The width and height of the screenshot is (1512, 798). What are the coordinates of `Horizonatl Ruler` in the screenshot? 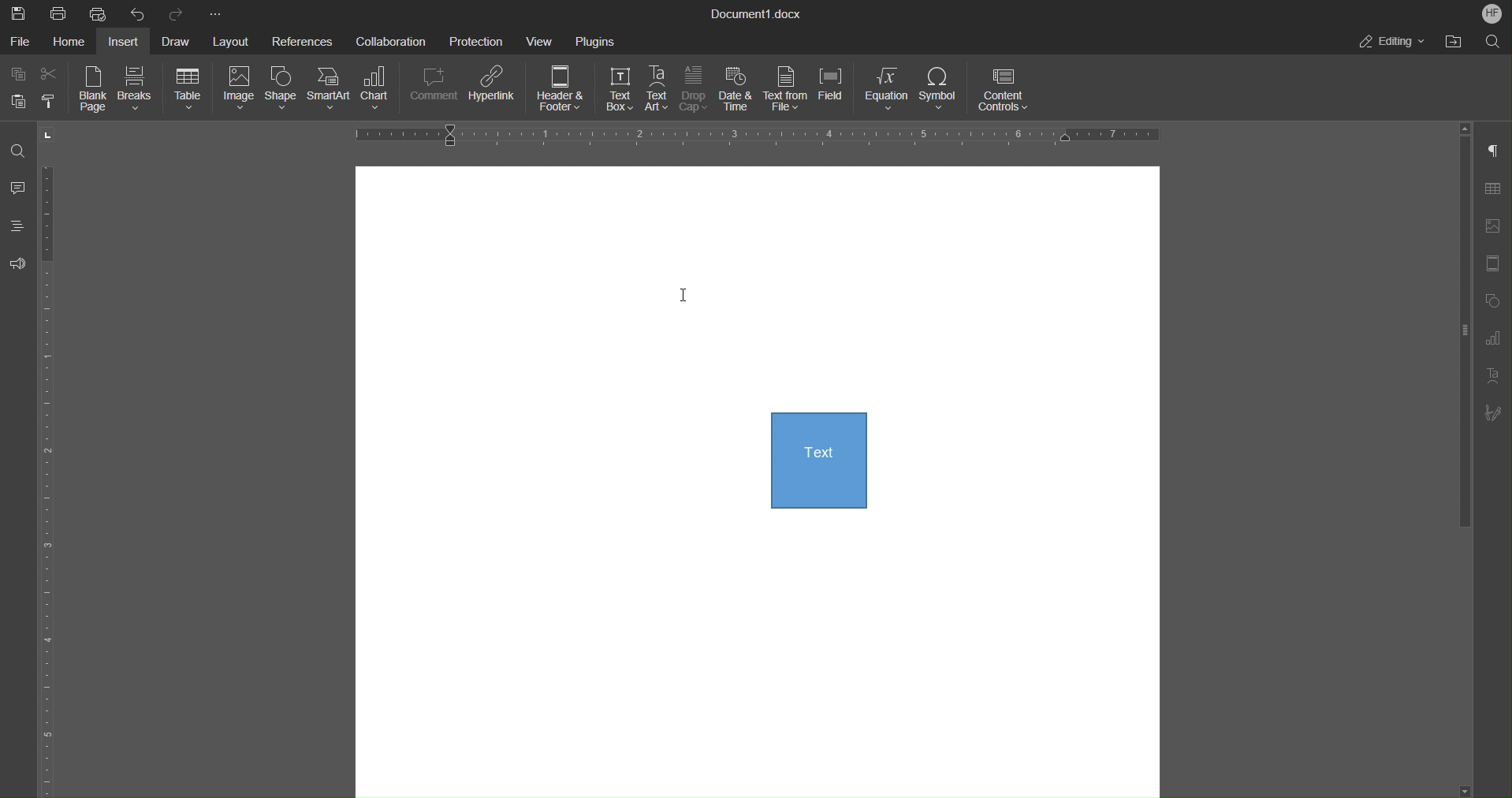 It's located at (752, 136).